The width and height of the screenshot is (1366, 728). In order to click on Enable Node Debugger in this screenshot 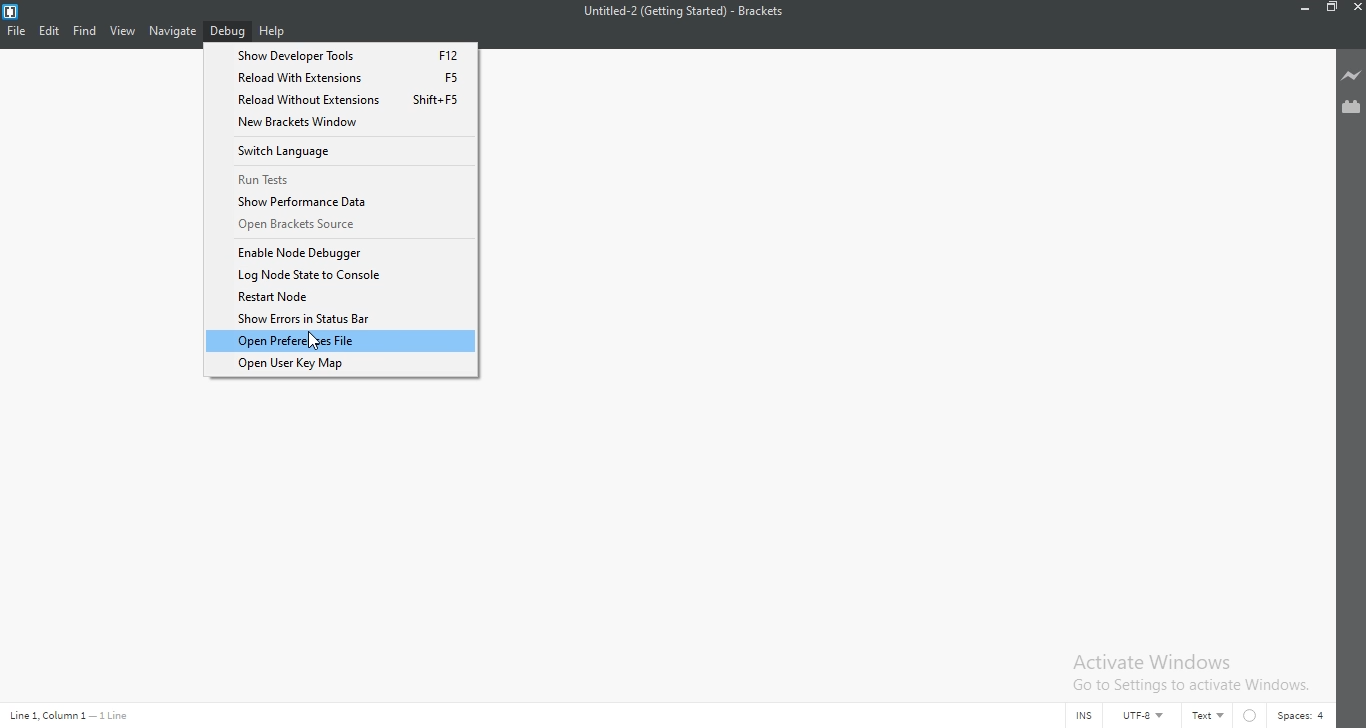, I will do `click(341, 252)`.